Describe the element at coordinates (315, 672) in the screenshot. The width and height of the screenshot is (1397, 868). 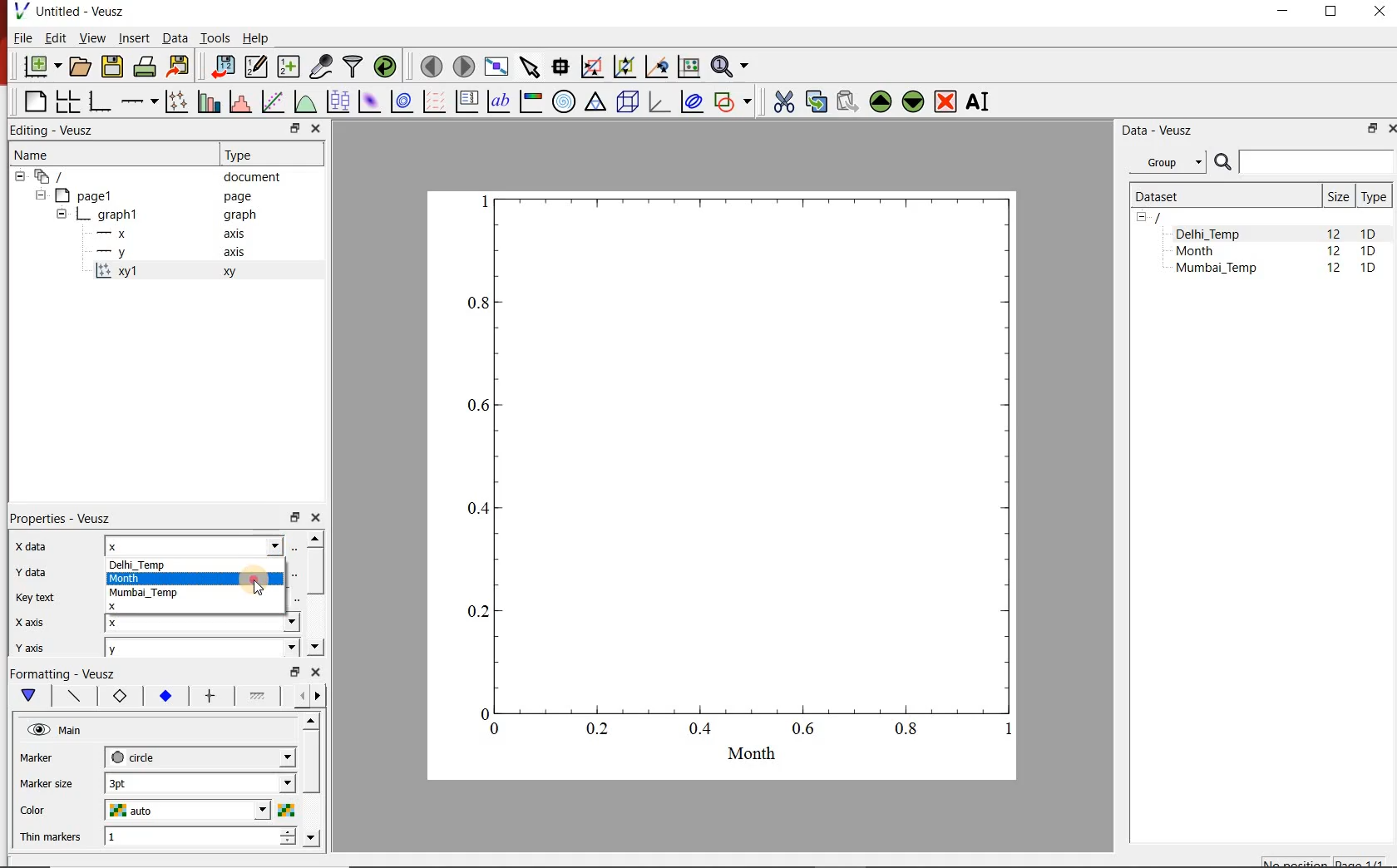
I see `close` at that location.